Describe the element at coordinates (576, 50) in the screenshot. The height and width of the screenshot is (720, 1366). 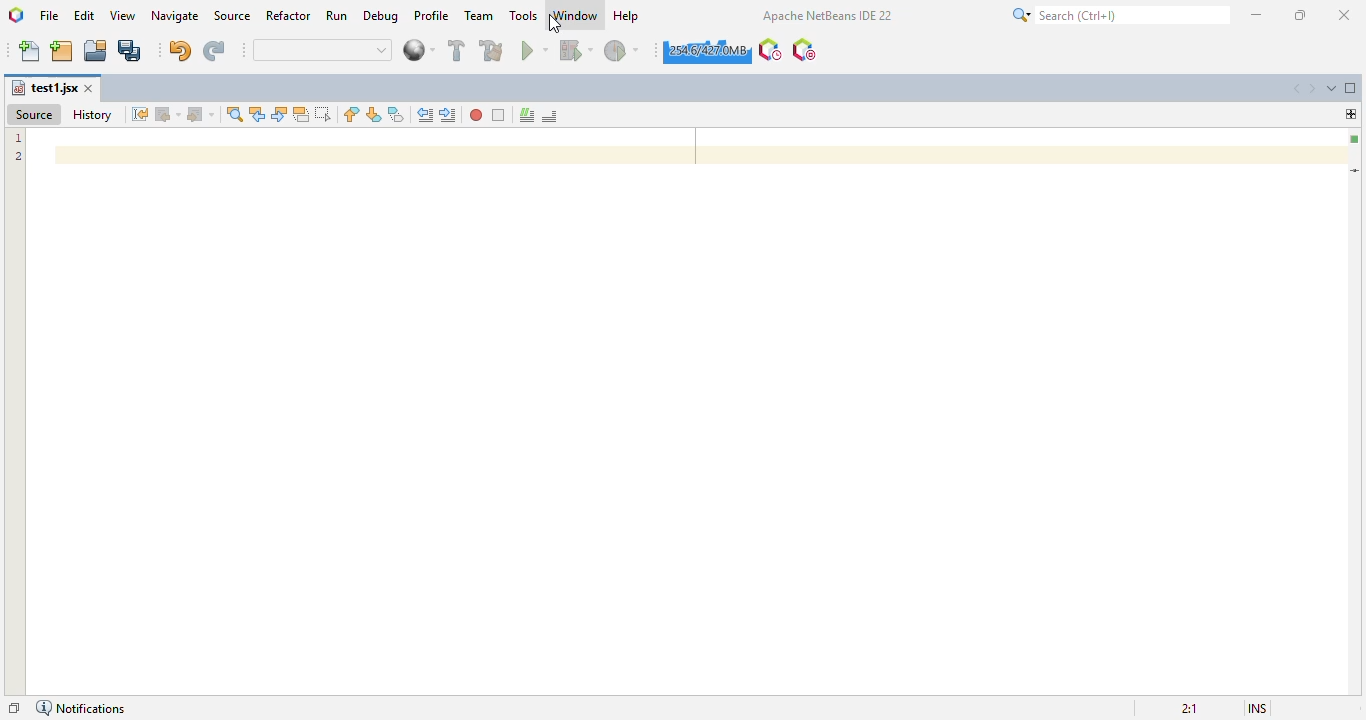
I see `debug project` at that location.